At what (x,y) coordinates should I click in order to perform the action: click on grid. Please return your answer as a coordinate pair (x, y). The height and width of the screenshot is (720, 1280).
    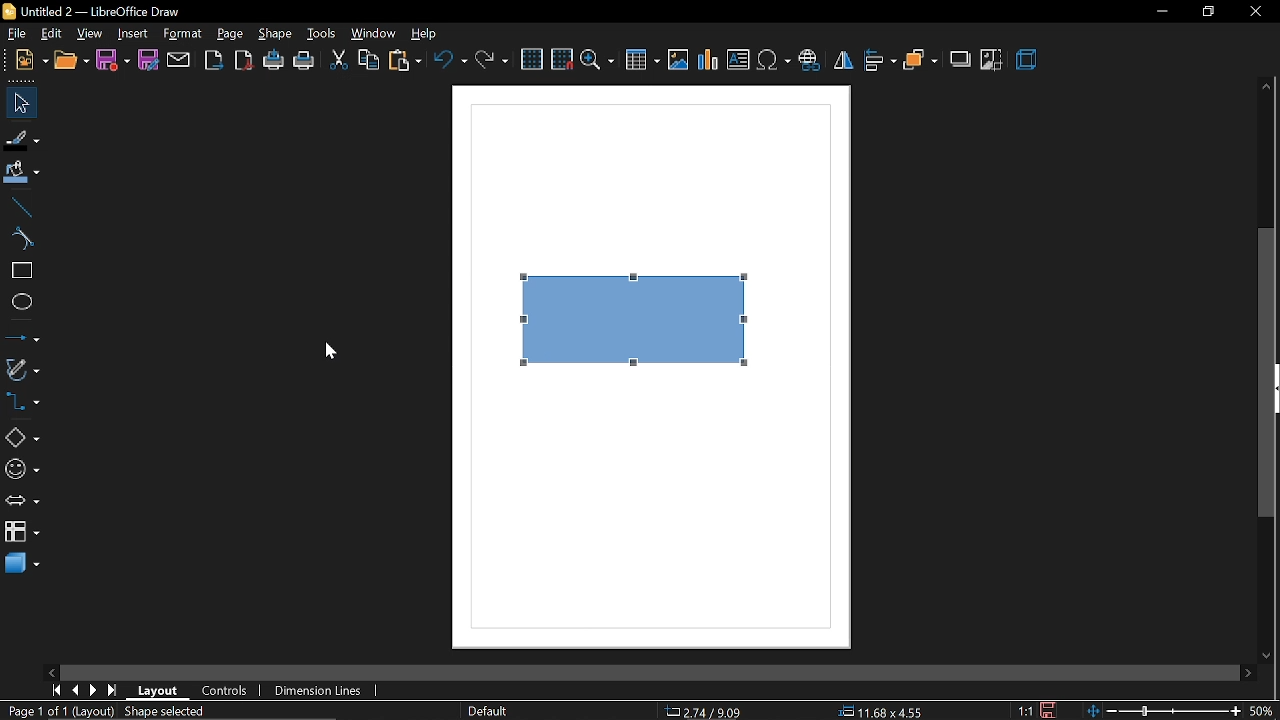
    Looking at the image, I should click on (531, 60).